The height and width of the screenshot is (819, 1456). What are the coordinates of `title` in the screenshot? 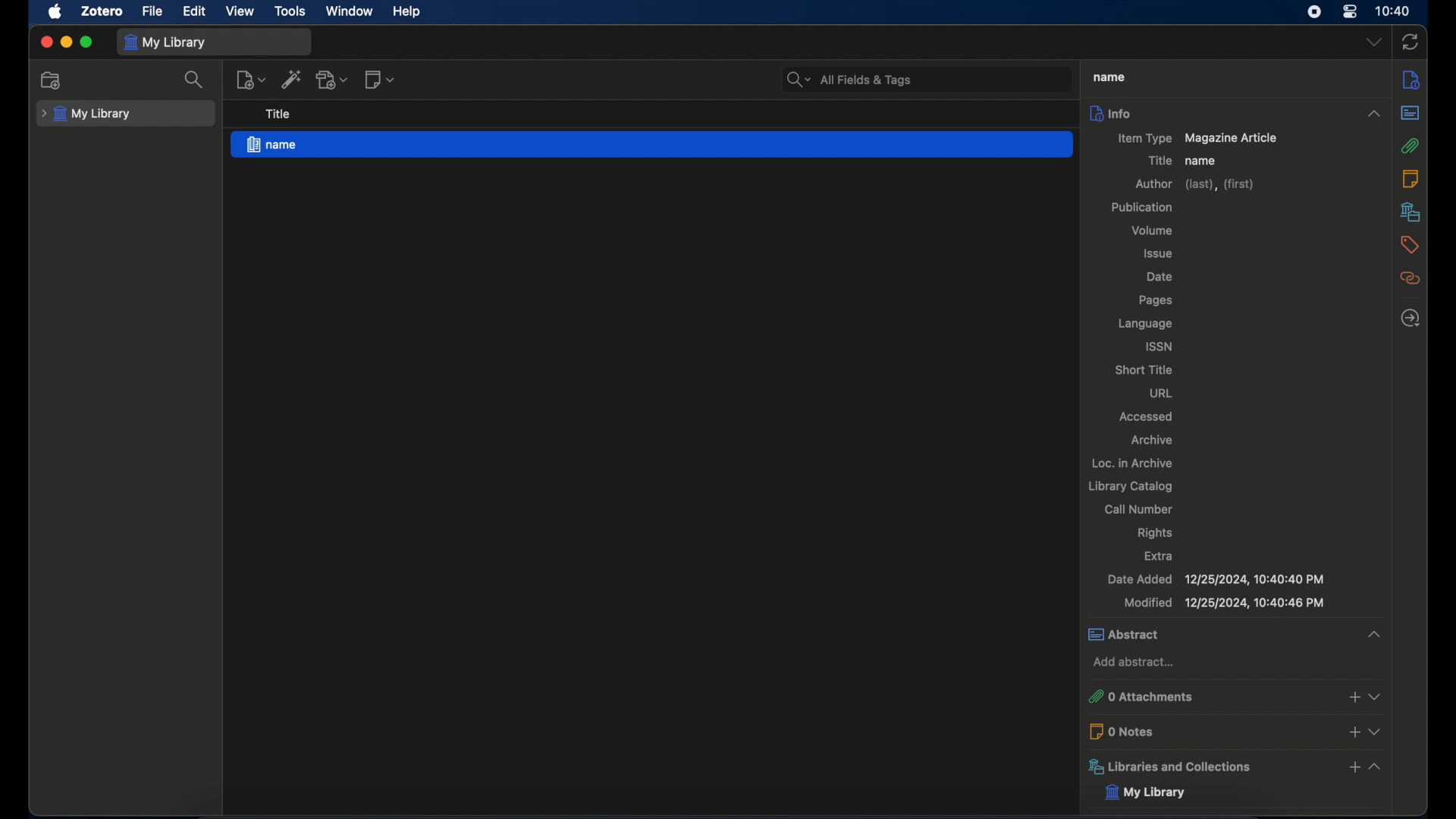 It's located at (1109, 77).